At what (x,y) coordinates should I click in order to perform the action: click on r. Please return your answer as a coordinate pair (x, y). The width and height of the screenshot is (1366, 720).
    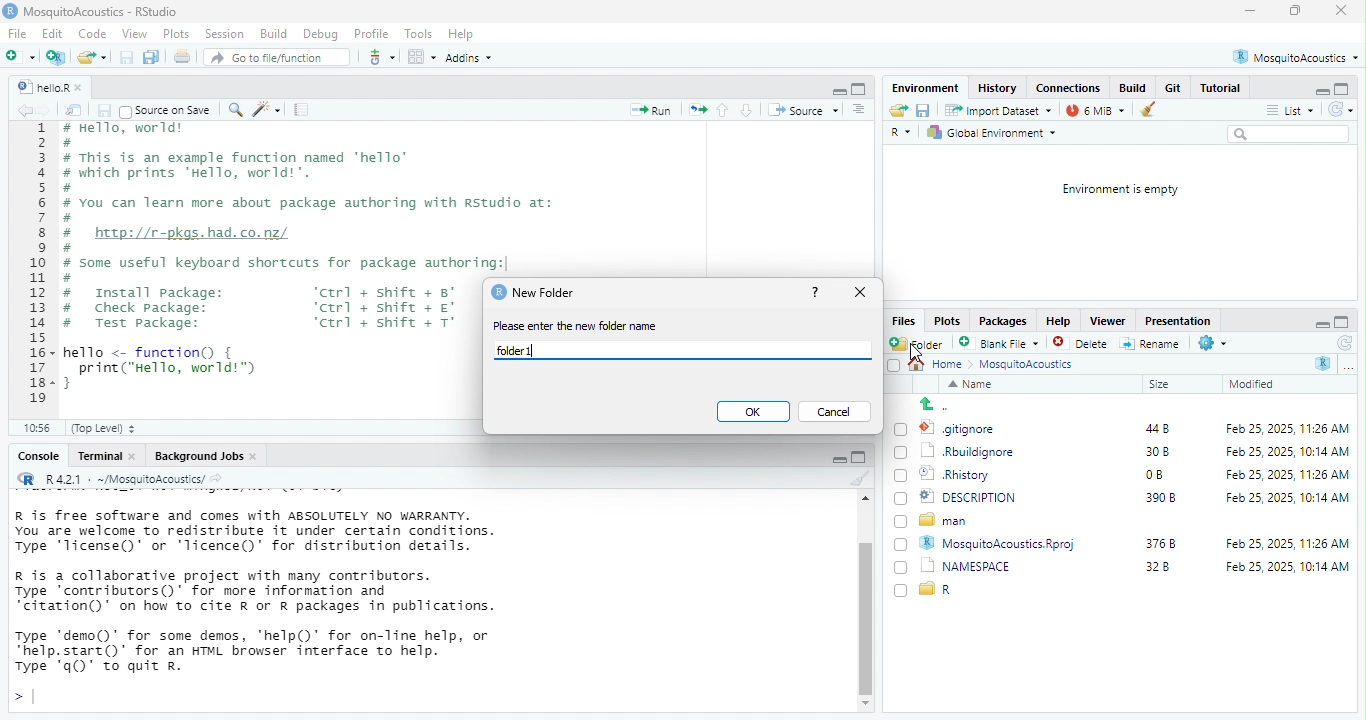
    Looking at the image, I should click on (905, 134).